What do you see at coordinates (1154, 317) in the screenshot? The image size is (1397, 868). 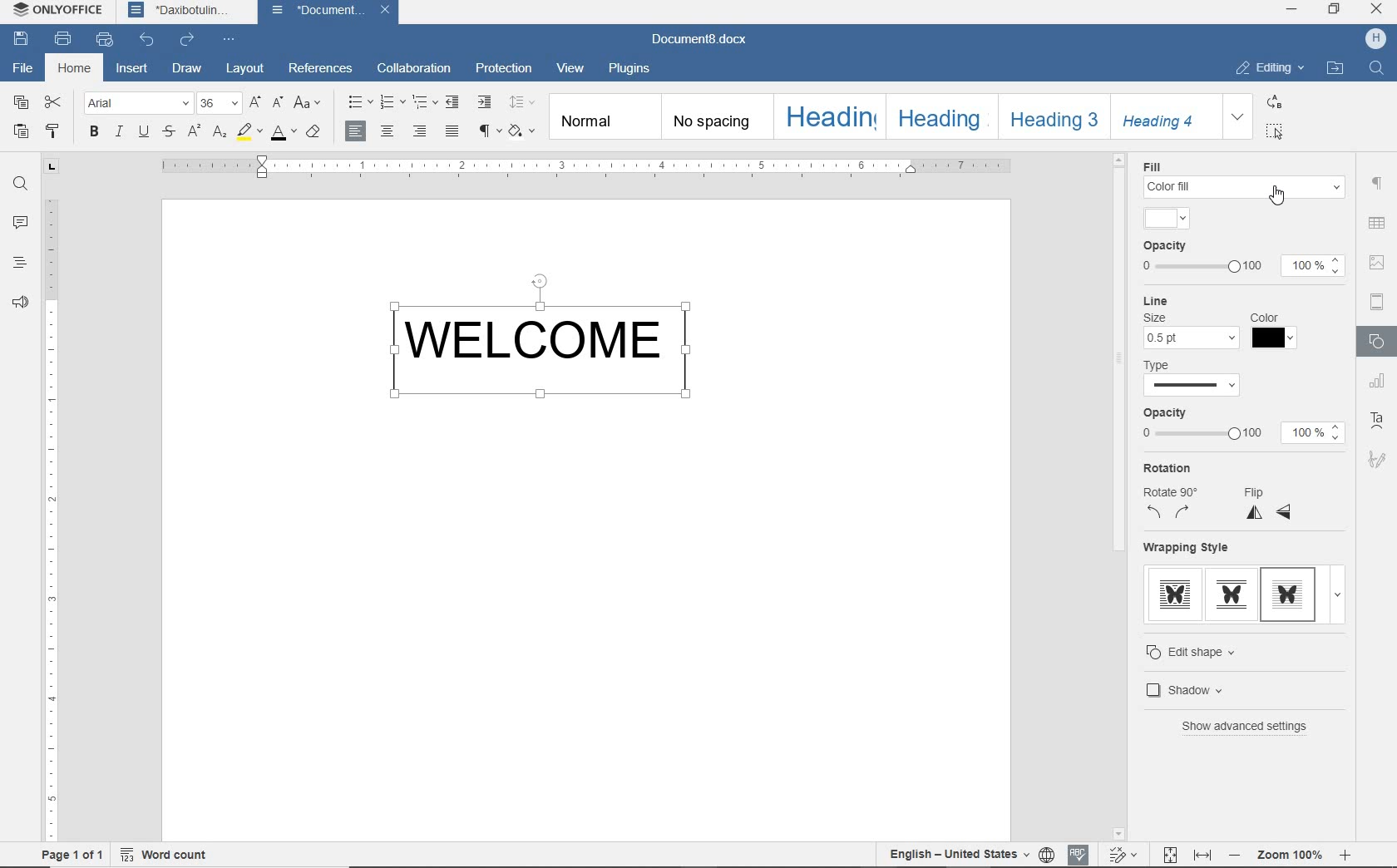 I see `Size` at bounding box center [1154, 317].